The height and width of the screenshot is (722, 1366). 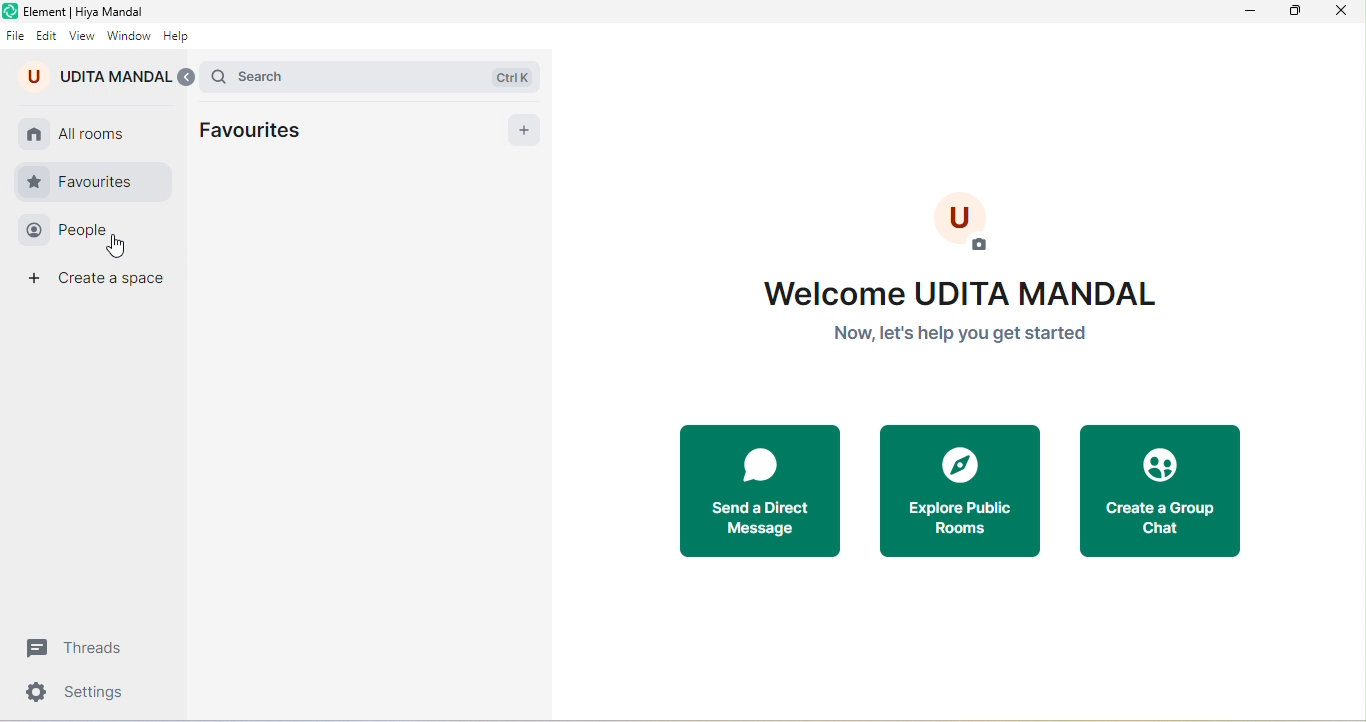 What do you see at coordinates (1252, 11) in the screenshot?
I see `minimize` at bounding box center [1252, 11].